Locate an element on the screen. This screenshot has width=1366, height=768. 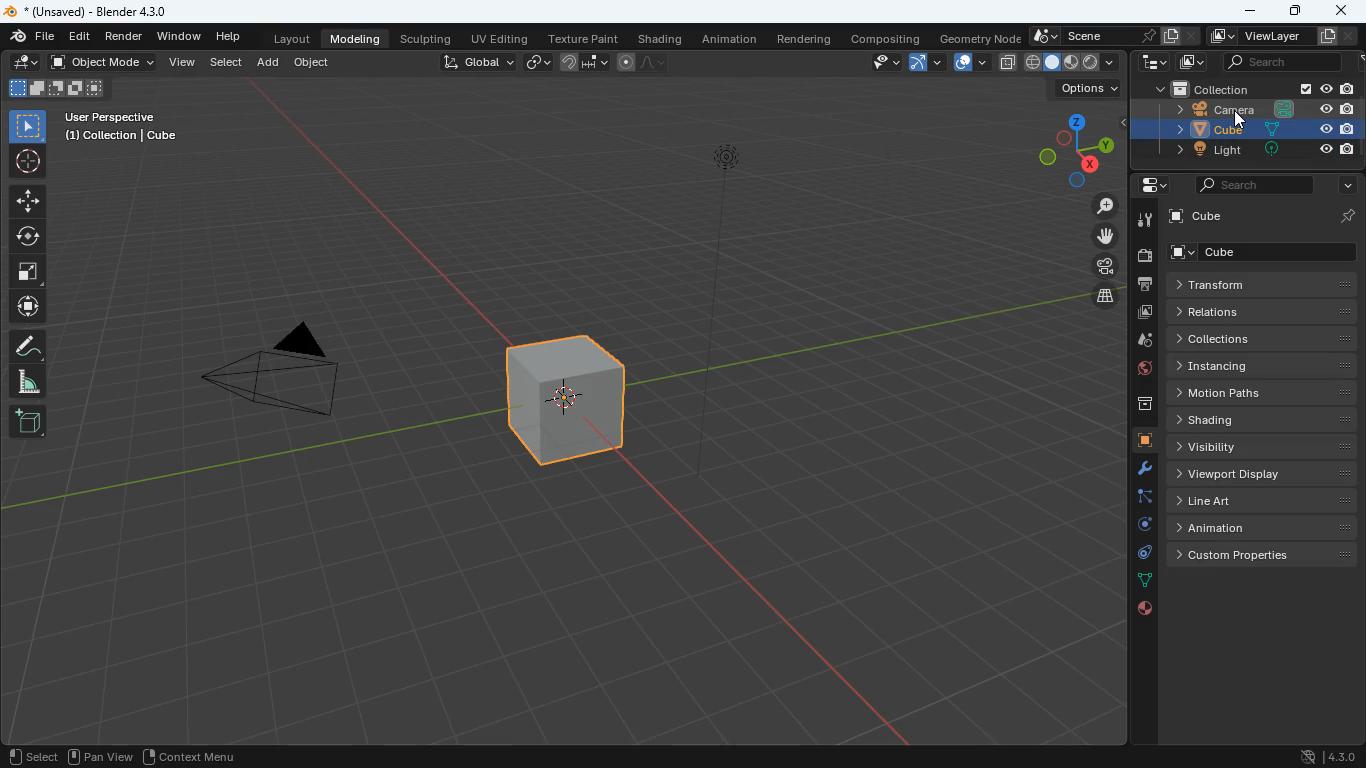
custom properties is located at coordinates (1267, 552).